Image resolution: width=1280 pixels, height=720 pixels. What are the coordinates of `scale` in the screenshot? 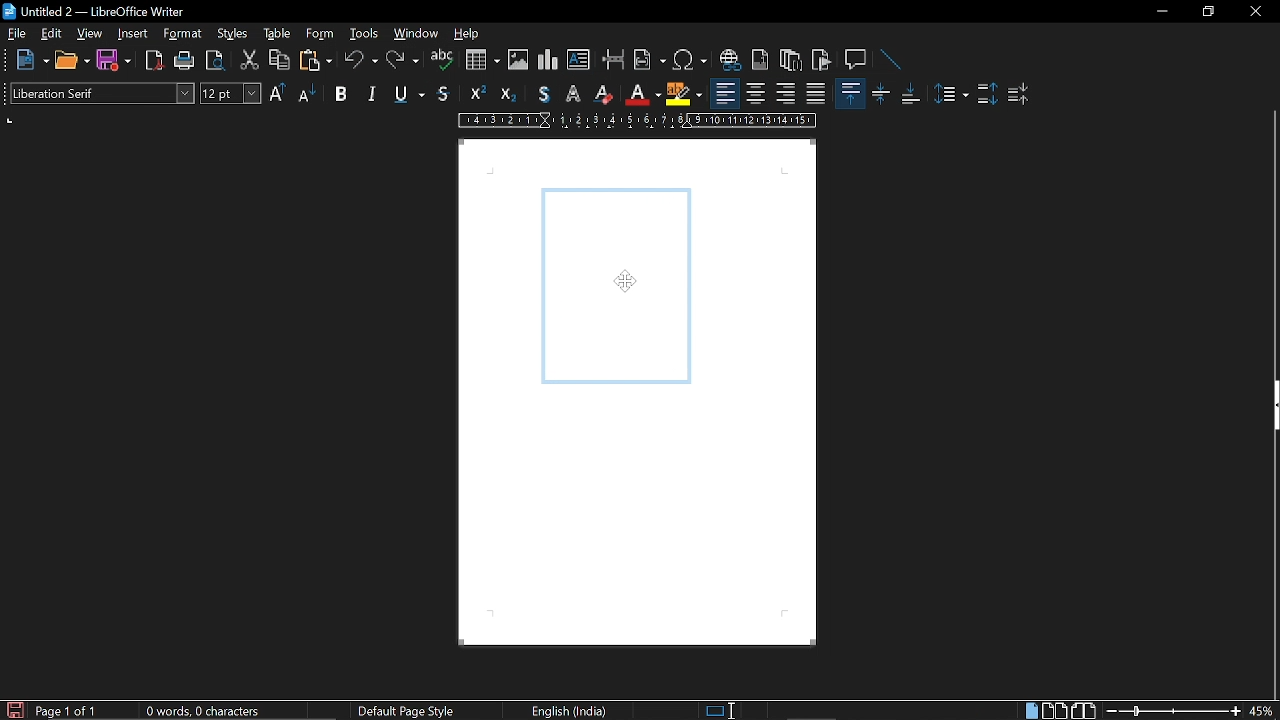 It's located at (637, 121).